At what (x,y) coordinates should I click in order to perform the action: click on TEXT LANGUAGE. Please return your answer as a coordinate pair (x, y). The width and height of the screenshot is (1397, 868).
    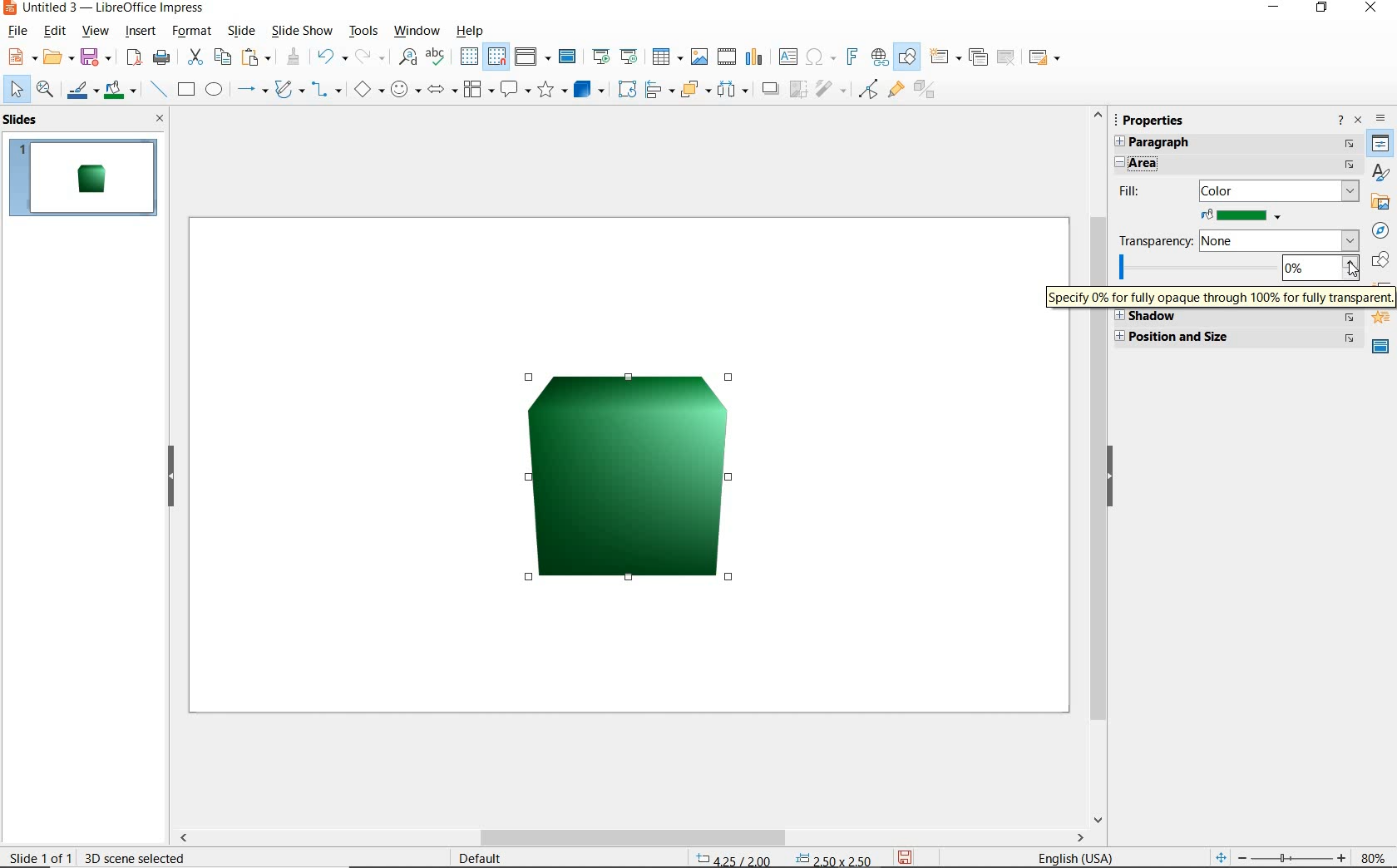
    Looking at the image, I should click on (1078, 856).